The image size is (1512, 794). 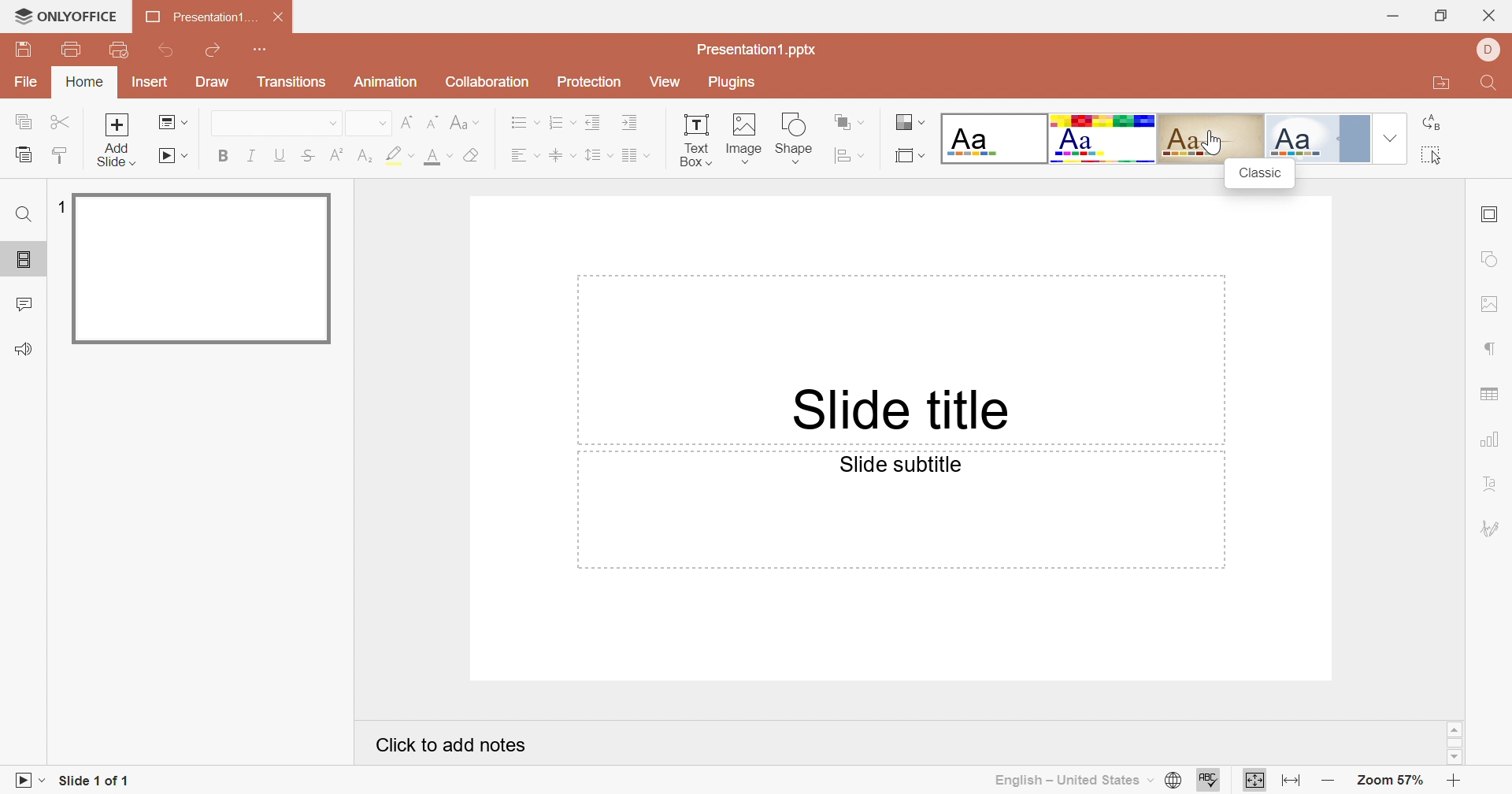 What do you see at coordinates (650, 154) in the screenshot?
I see `Drop Down` at bounding box center [650, 154].